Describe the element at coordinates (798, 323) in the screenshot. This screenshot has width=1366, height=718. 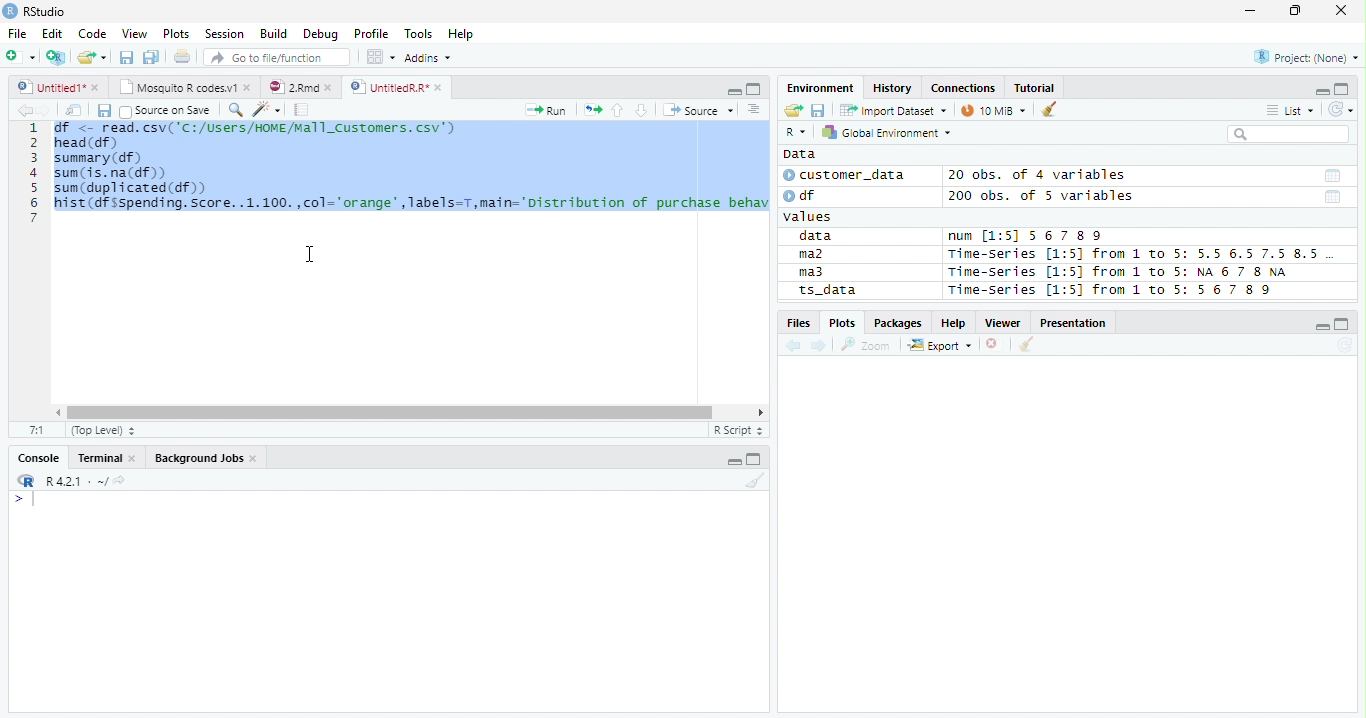
I see `Files` at that location.